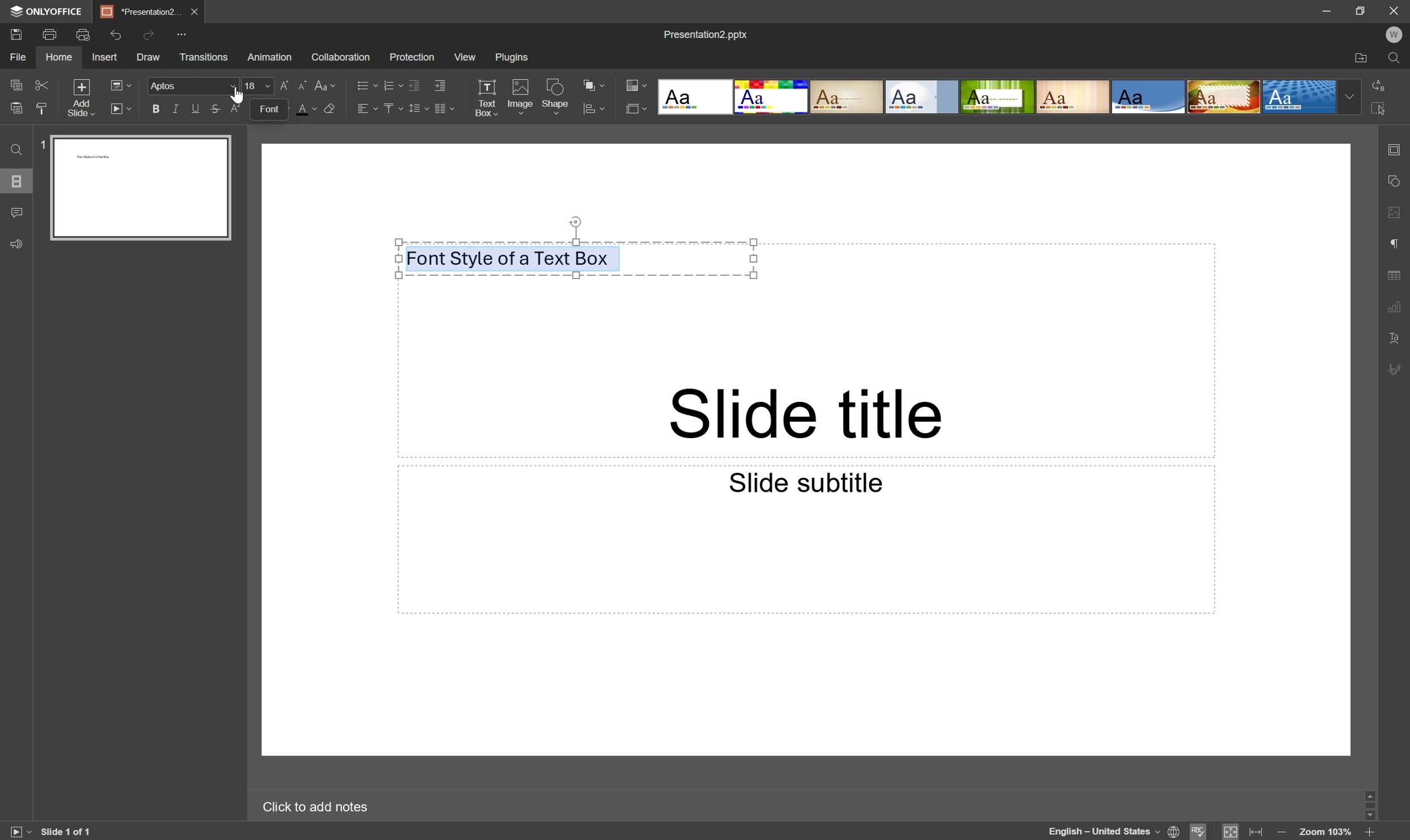 This screenshot has width=1410, height=840. I want to click on Font, so click(192, 84).